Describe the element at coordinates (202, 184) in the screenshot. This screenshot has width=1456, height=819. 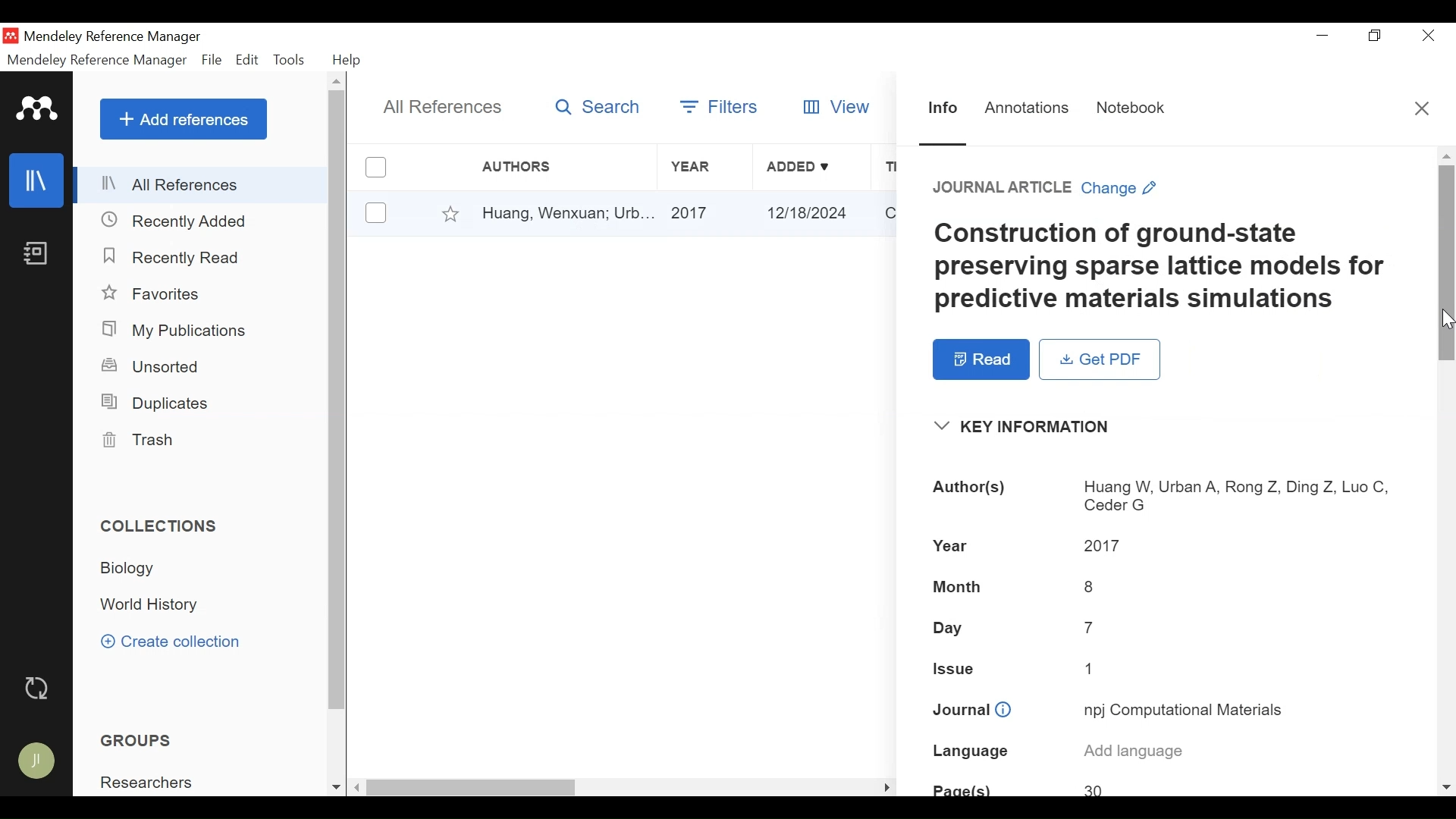
I see `All References` at that location.